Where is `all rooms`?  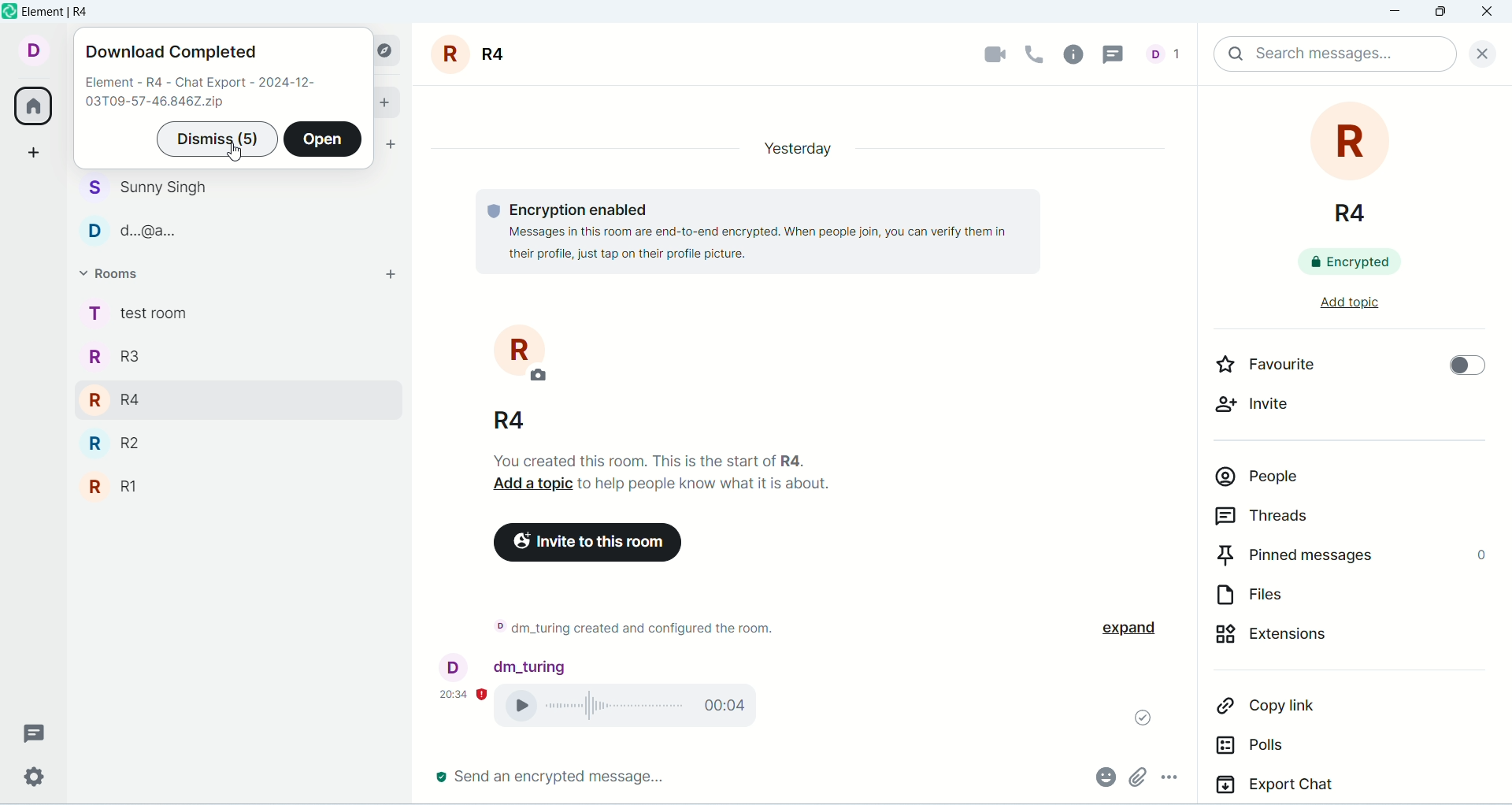 all rooms is located at coordinates (31, 109).